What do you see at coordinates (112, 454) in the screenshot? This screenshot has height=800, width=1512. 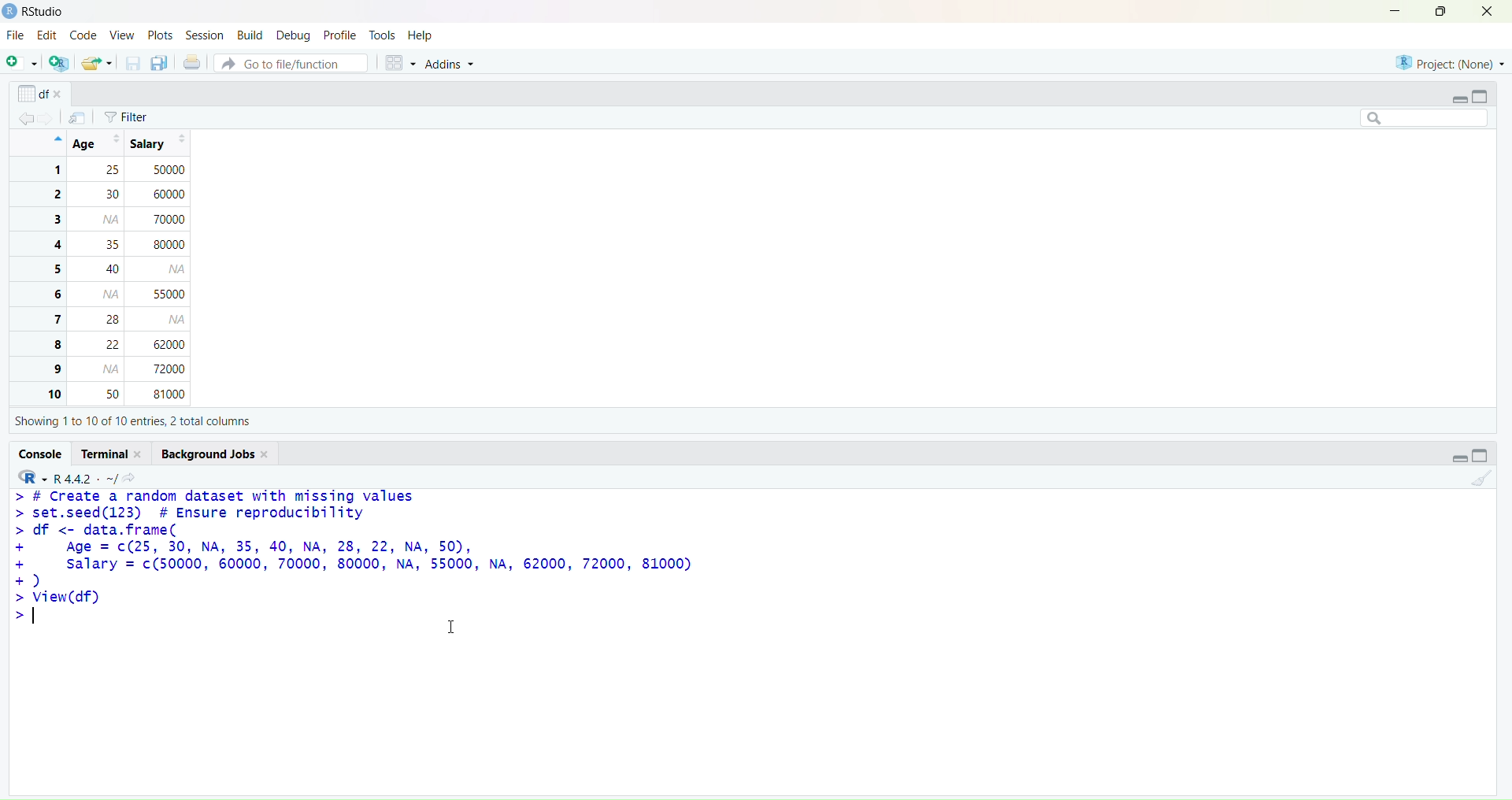 I see `terminal` at bounding box center [112, 454].